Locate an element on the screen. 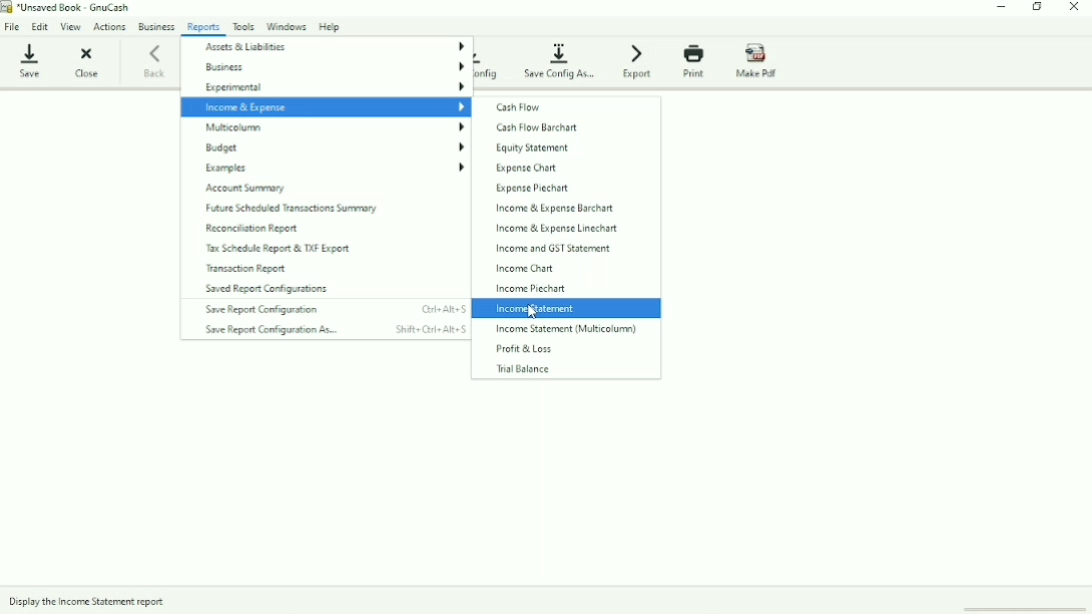  Business is located at coordinates (156, 26).